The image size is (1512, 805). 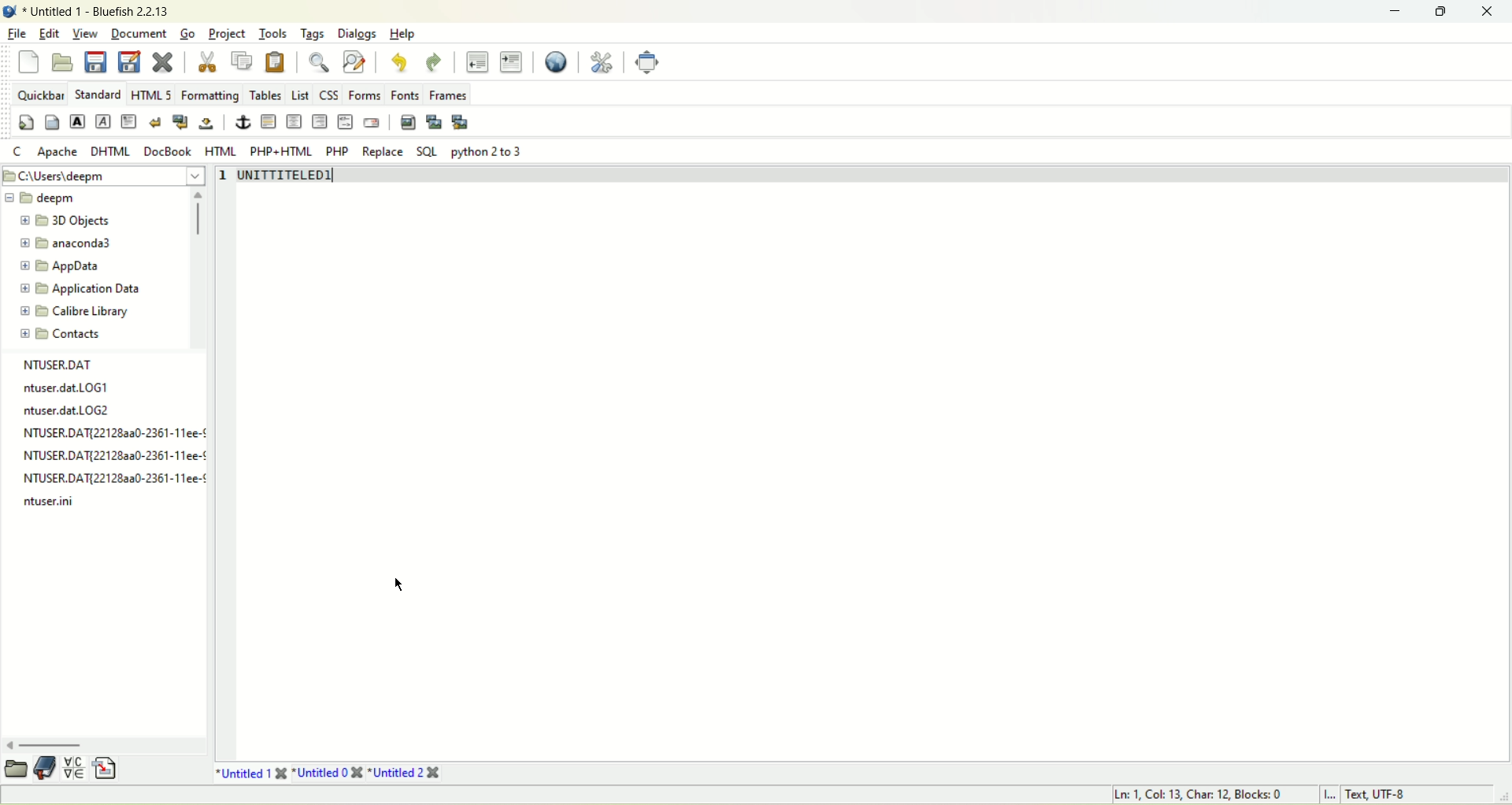 I want to click on Tools, so click(x=271, y=33).